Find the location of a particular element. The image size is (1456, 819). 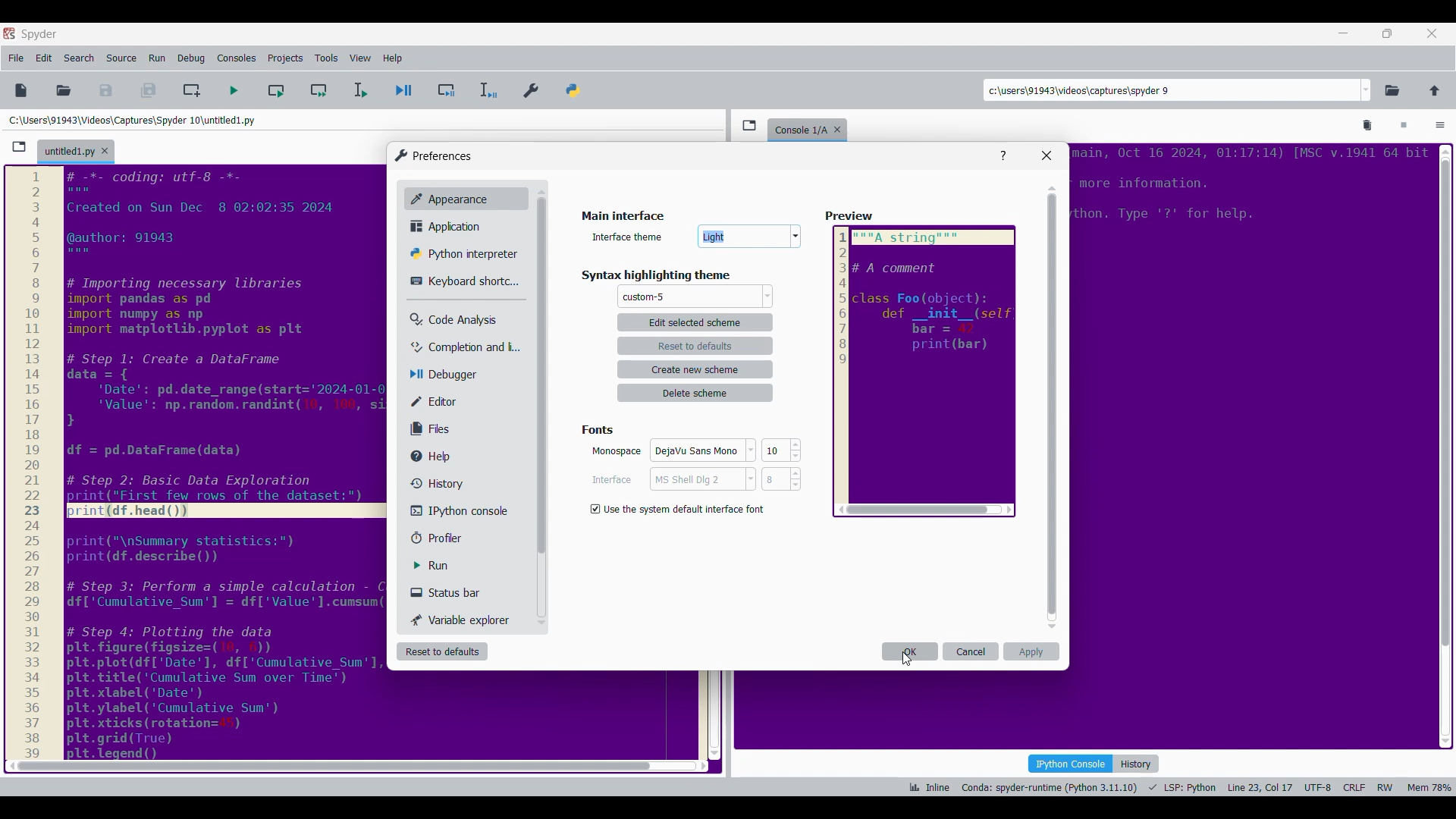

 is located at coordinates (1247, 190).